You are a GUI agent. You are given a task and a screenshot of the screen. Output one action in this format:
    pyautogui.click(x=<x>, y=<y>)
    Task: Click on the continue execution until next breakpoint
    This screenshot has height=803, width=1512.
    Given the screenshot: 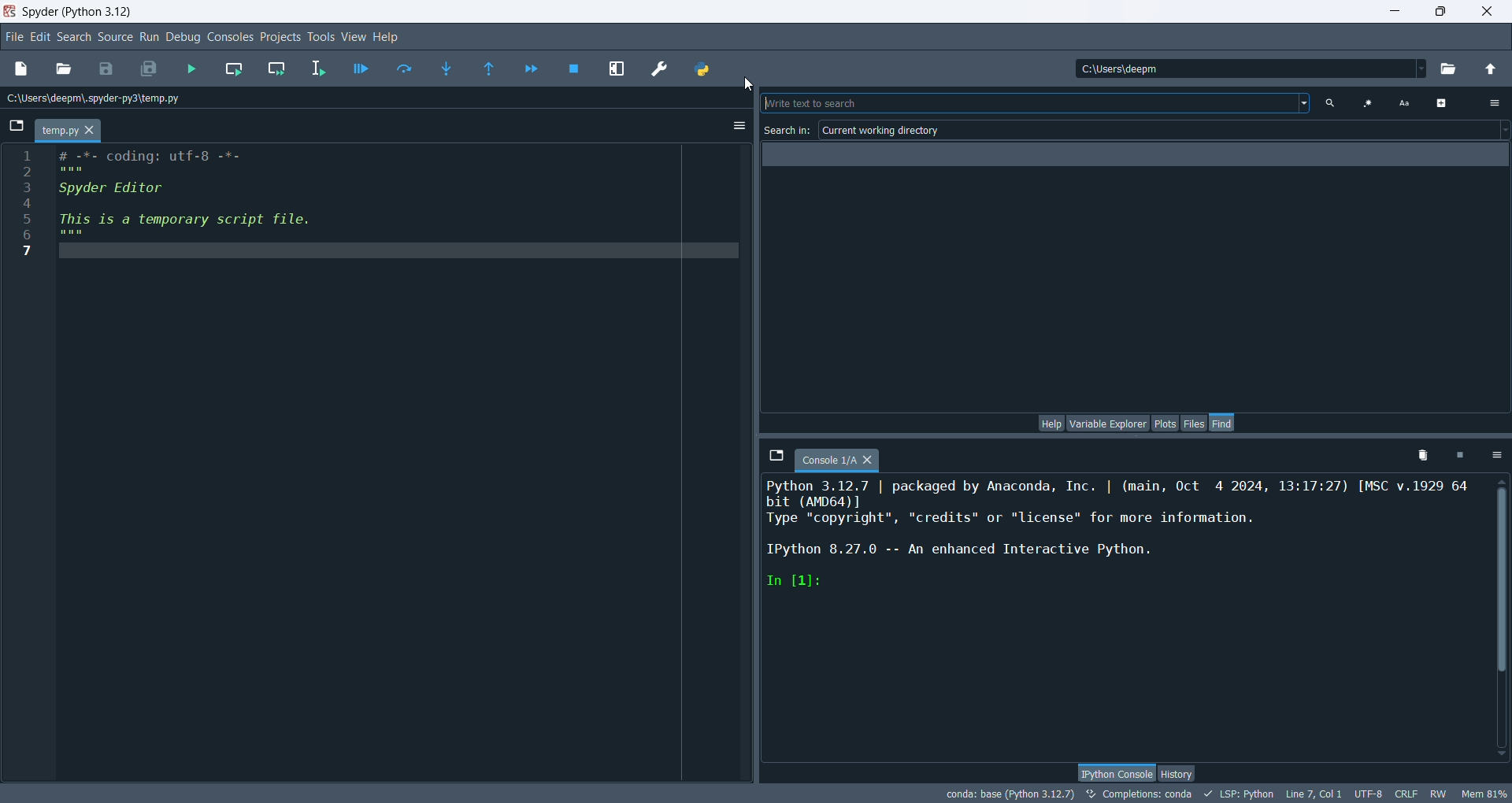 What is the action you would take?
    pyautogui.click(x=532, y=70)
    